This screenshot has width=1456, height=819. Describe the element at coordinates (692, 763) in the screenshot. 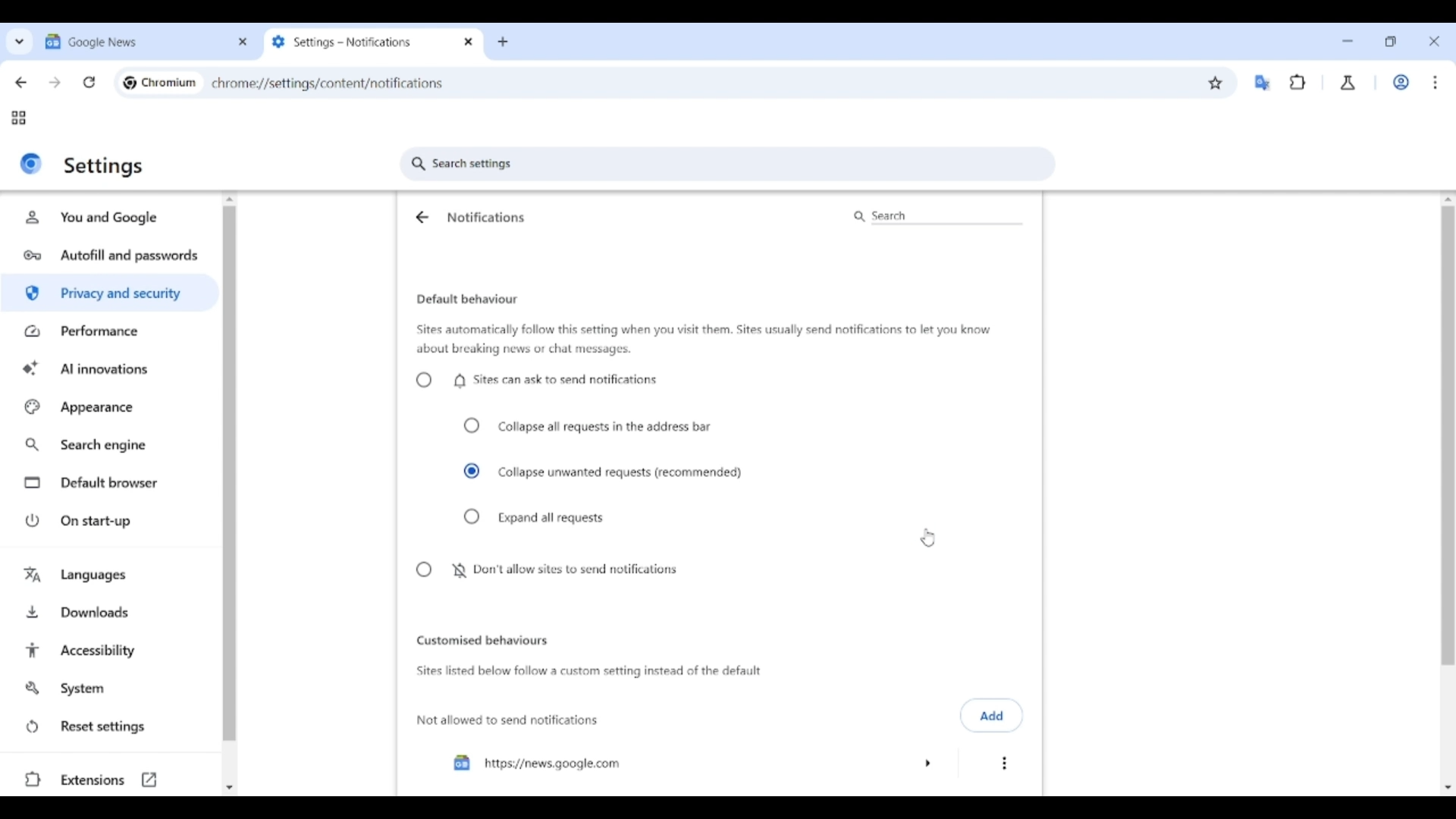

I see `More options` at that location.